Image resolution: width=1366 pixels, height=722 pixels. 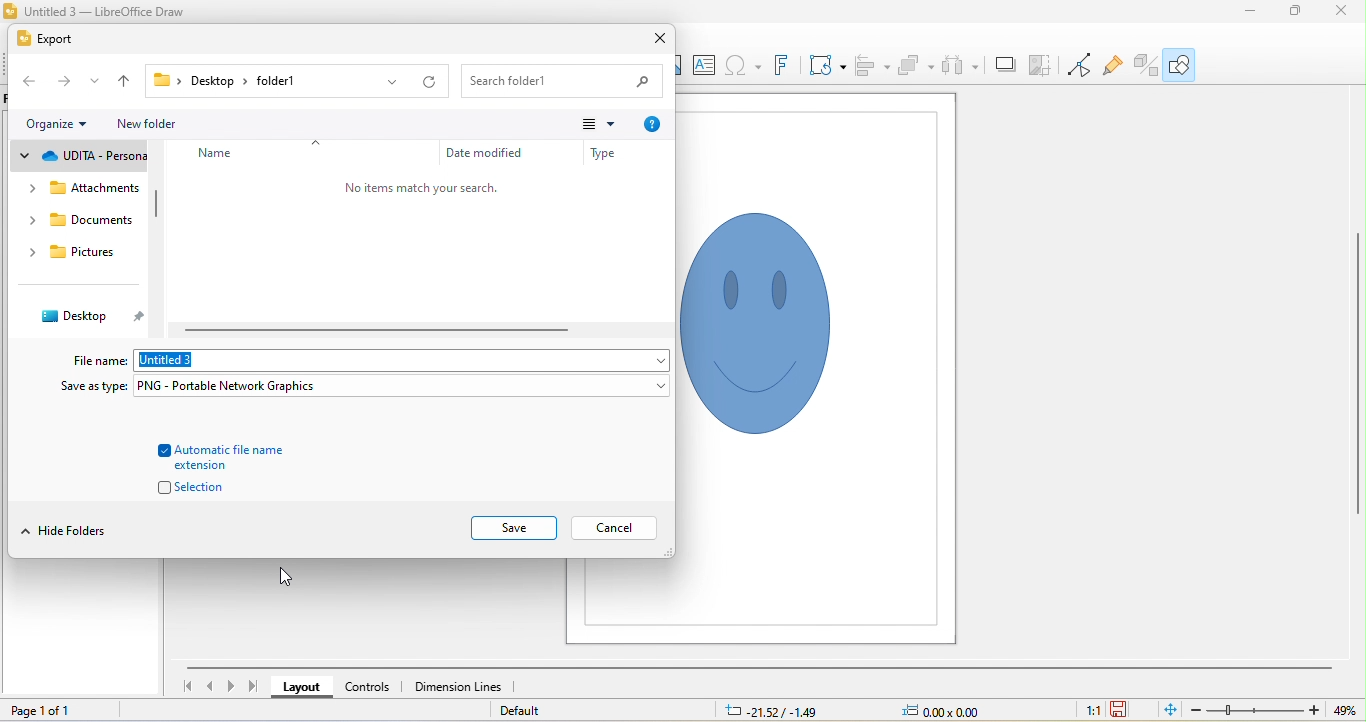 I want to click on last , so click(x=254, y=685).